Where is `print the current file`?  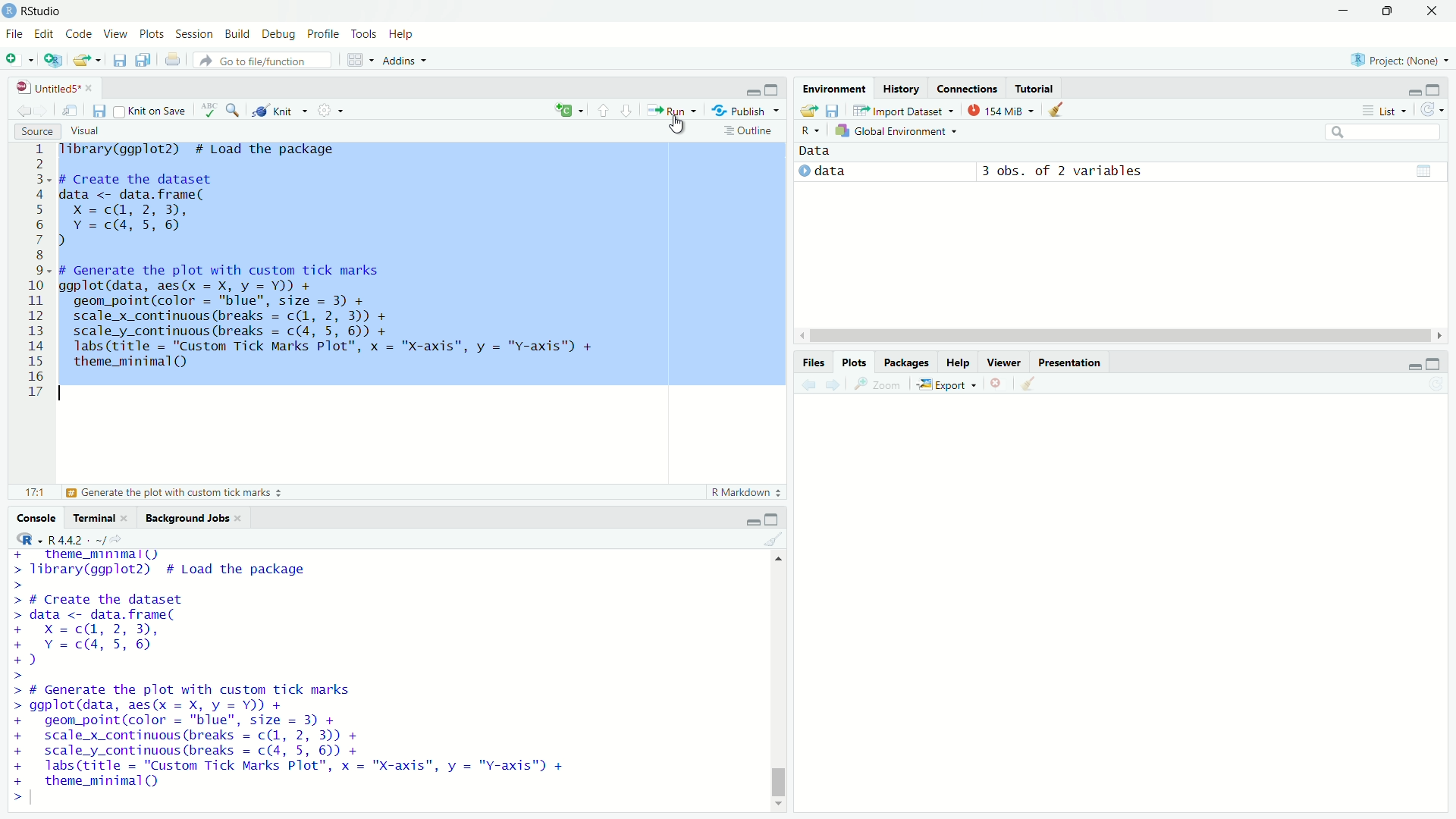 print the current file is located at coordinates (168, 60).